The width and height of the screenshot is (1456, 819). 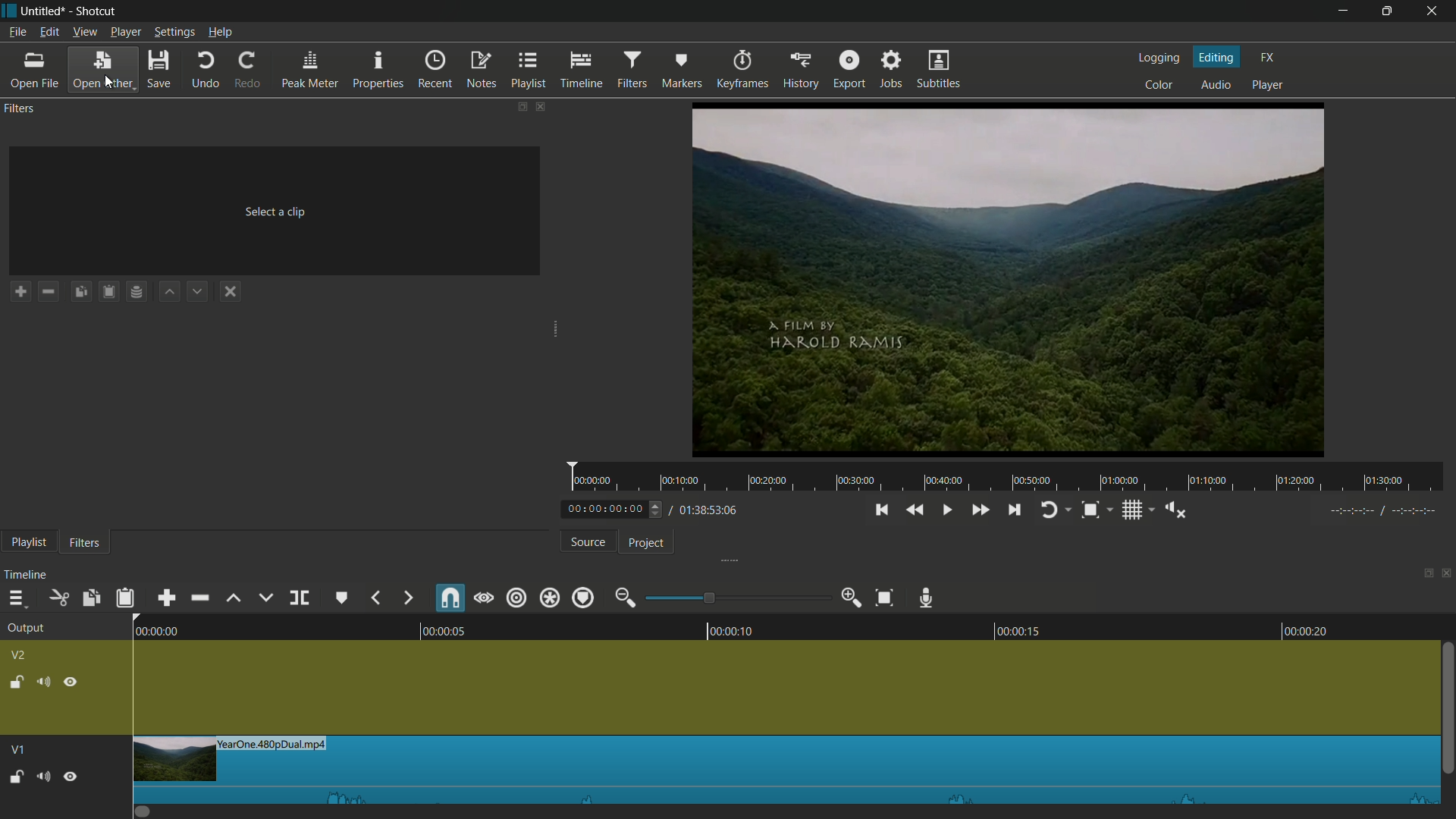 What do you see at coordinates (380, 71) in the screenshot?
I see `properties` at bounding box center [380, 71].